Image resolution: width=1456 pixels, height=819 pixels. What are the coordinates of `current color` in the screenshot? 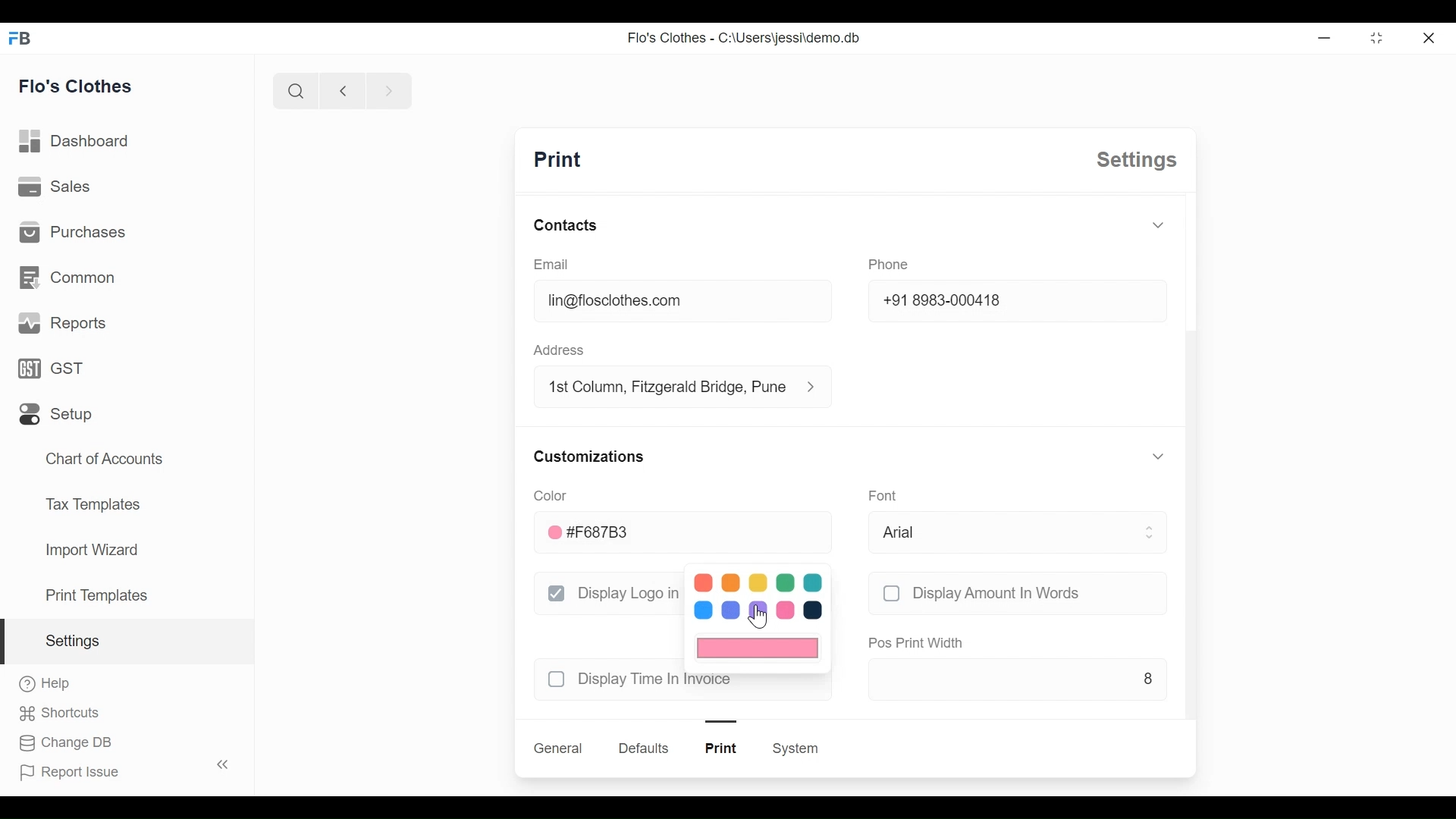 It's located at (758, 648).